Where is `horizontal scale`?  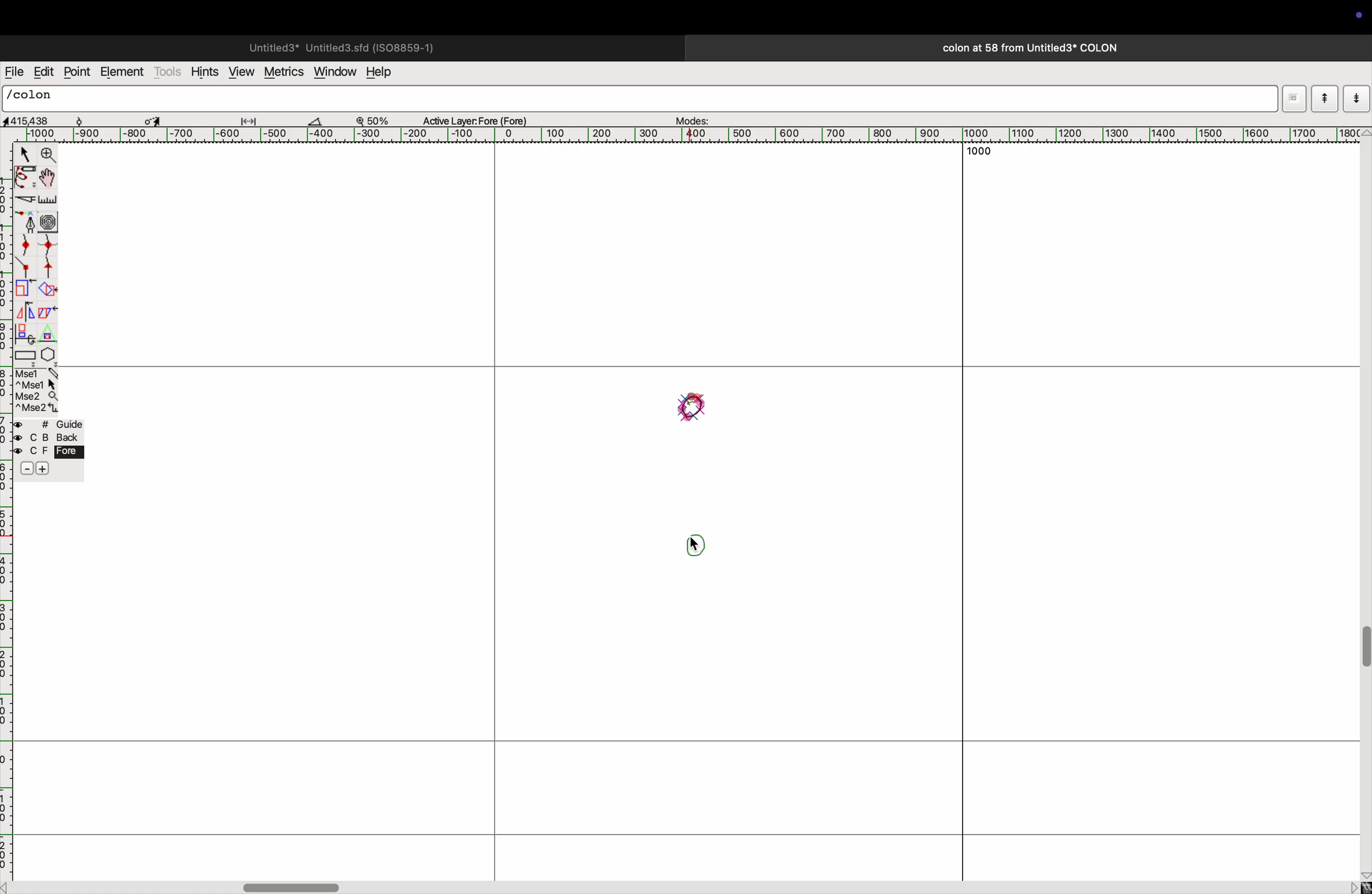 horizontal scale is located at coordinates (701, 135).